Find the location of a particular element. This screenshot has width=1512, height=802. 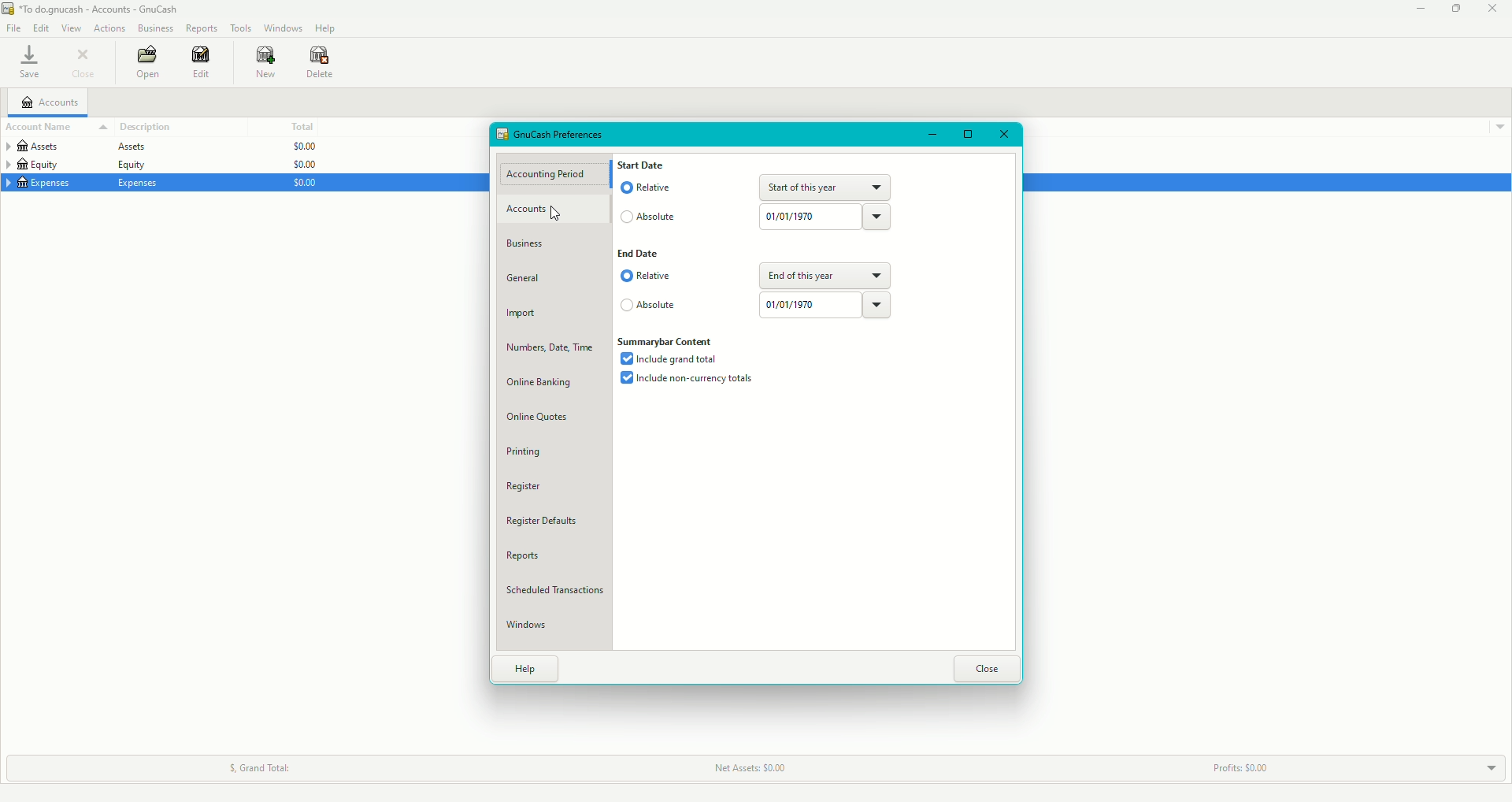

Close is located at coordinates (84, 62).